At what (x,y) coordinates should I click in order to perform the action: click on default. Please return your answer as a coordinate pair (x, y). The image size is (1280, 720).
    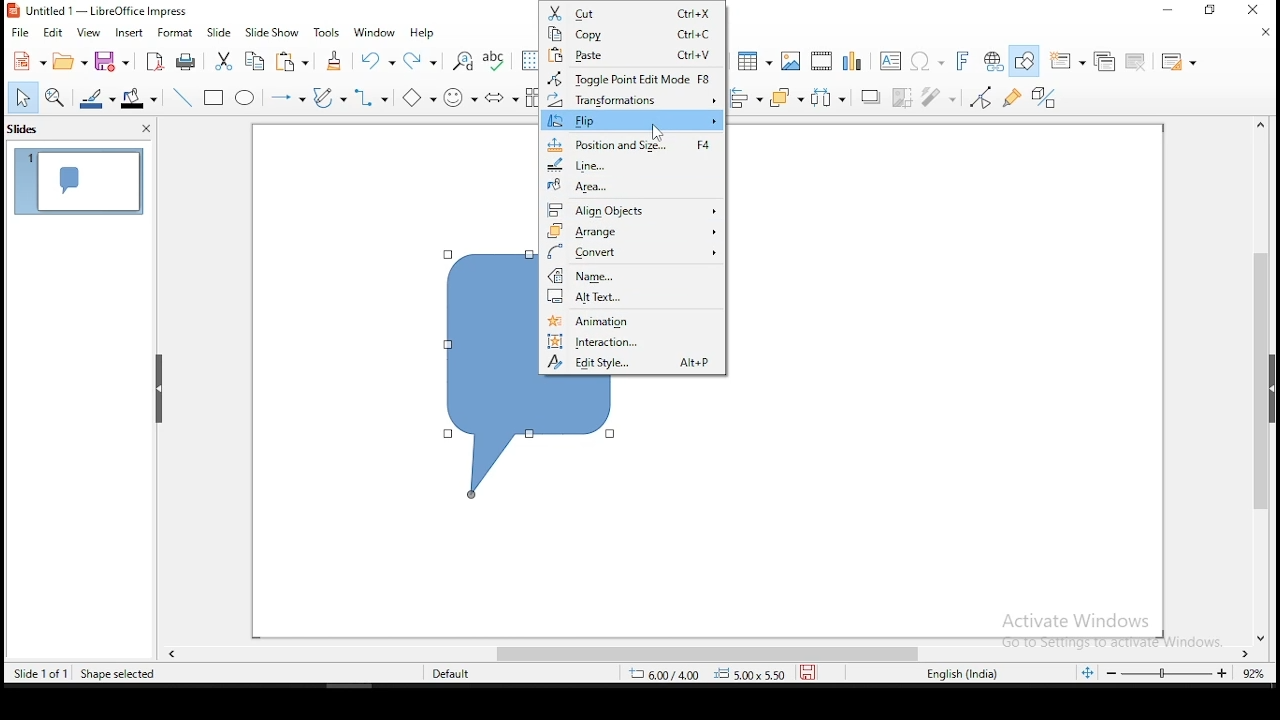
    Looking at the image, I should click on (453, 674).